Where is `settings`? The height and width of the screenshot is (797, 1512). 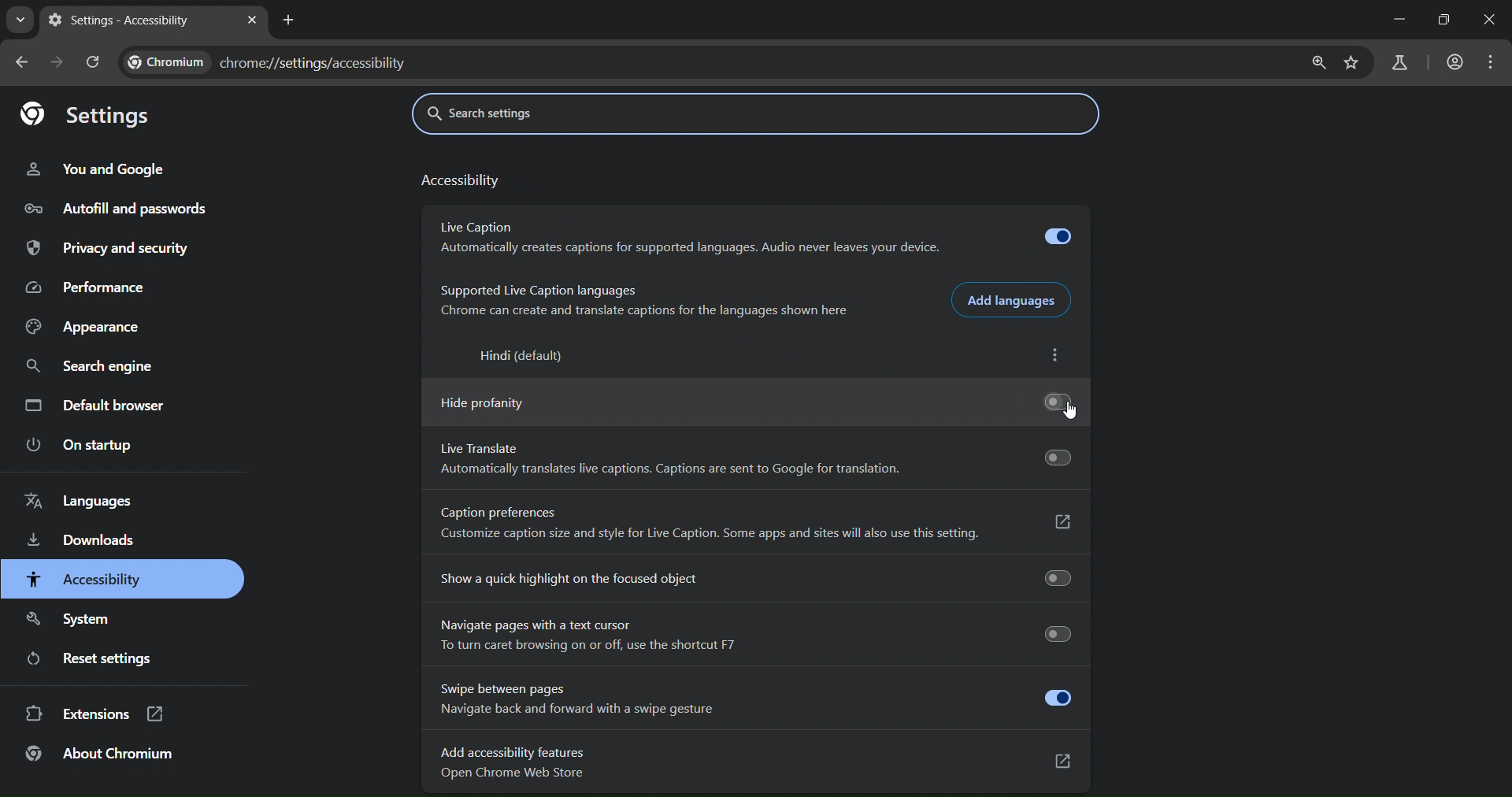
settings is located at coordinates (85, 116).